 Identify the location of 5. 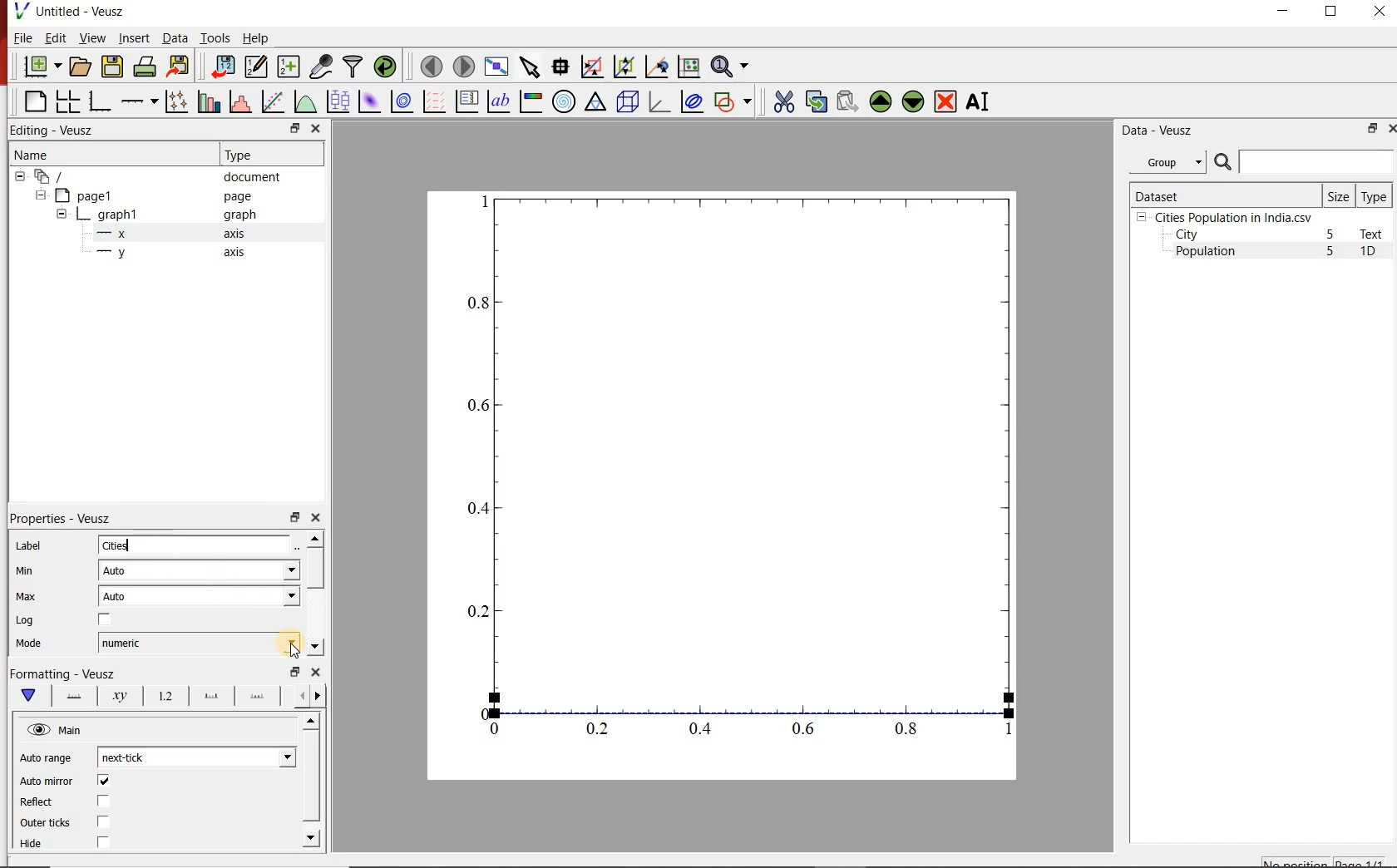
(1331, 252).